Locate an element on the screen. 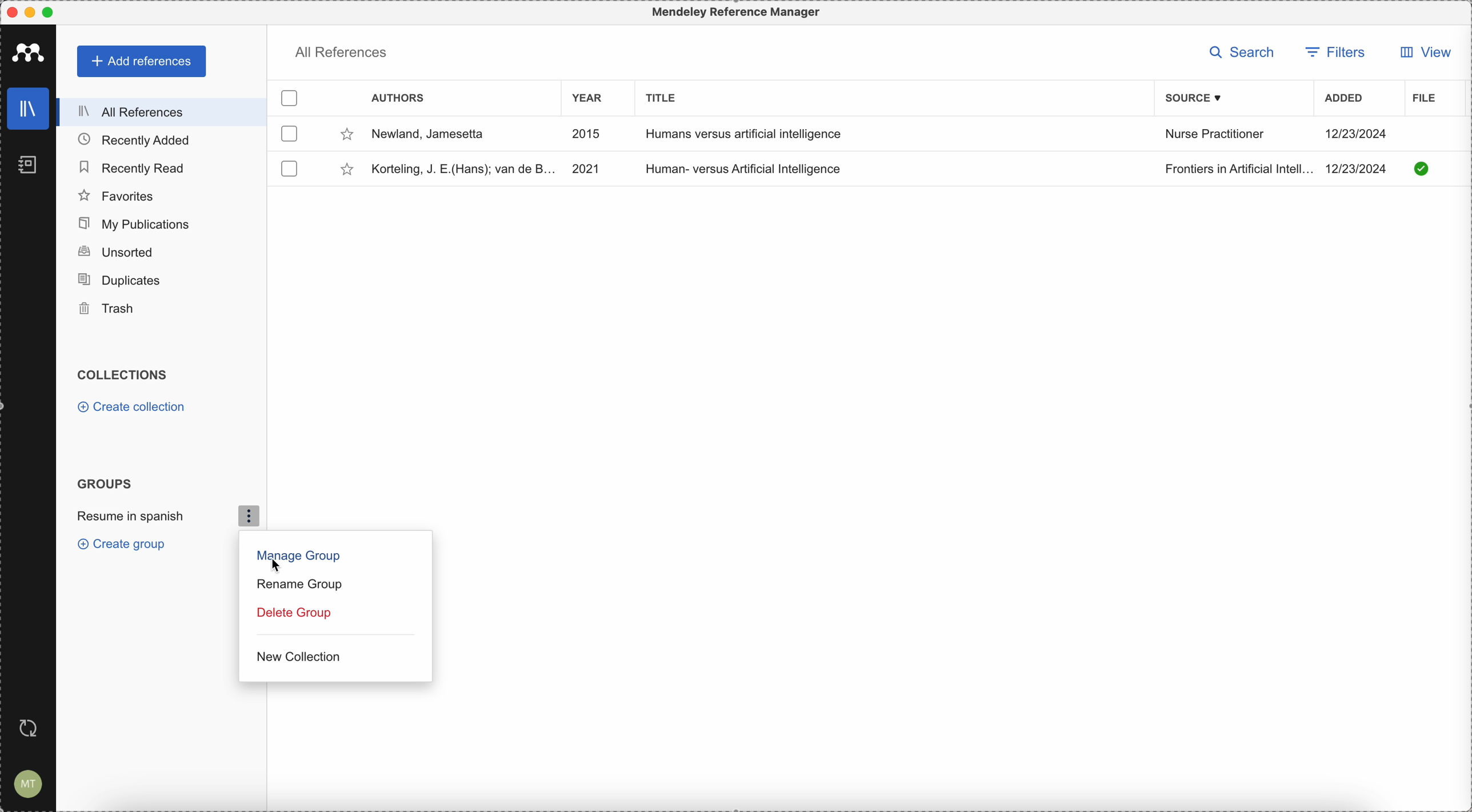 Image resolution: width=1472 pixels, height=812 pixels. cursor is located at coordinates (281, 566).